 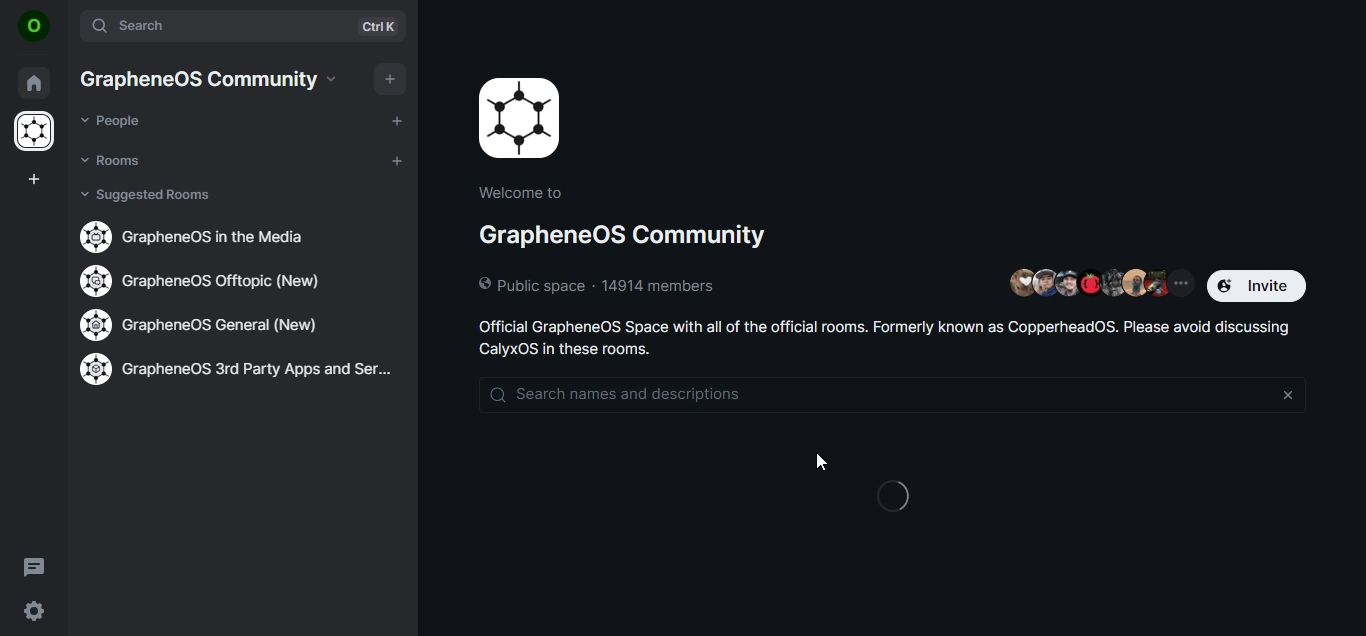 I want to click on text, so click(x=890, y=338).